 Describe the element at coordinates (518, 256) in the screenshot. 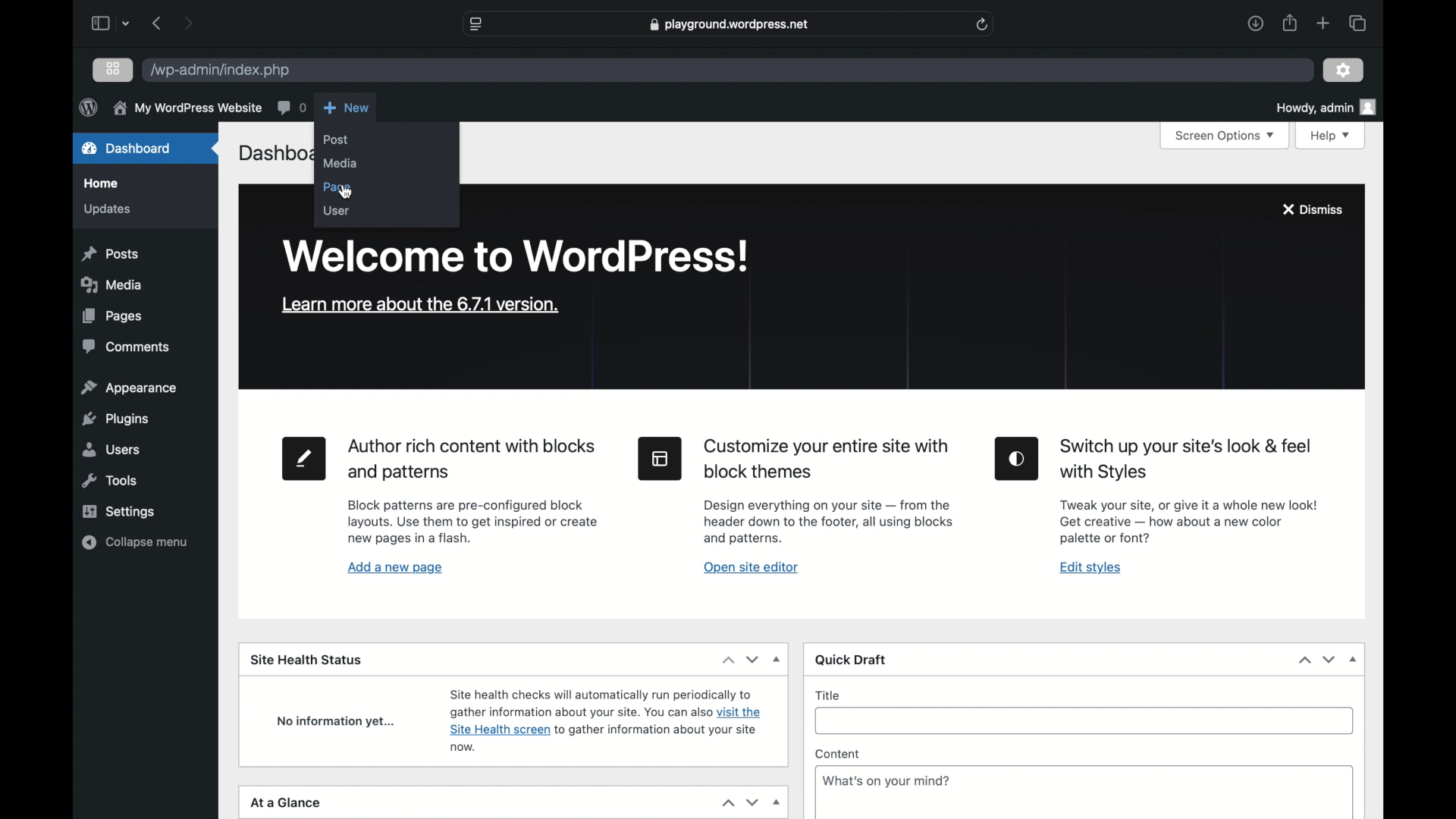

I see `welcome to wordpress` at that location.